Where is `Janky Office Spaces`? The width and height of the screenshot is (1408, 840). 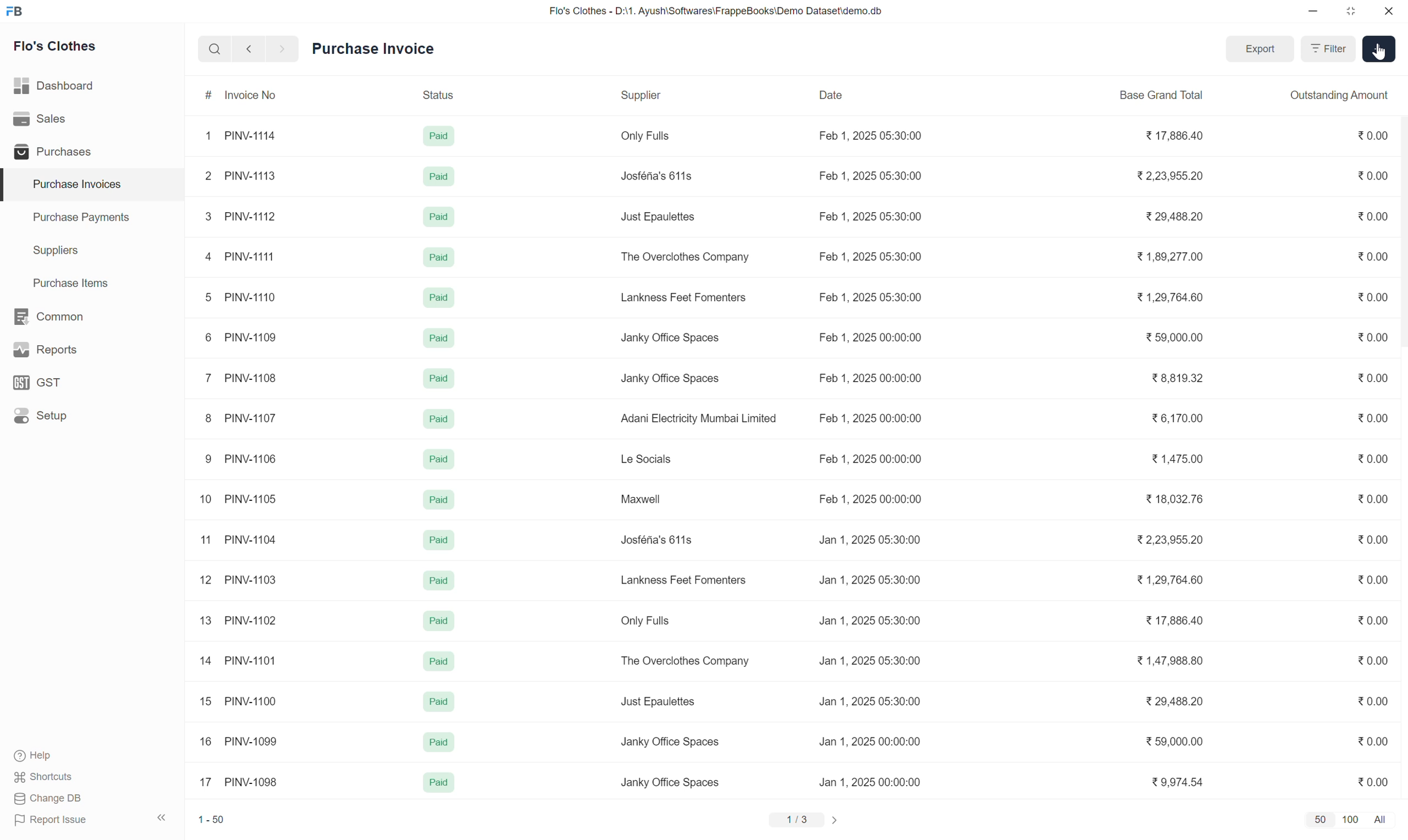 Janky Office Spaces is located at coordinates (669, 338).